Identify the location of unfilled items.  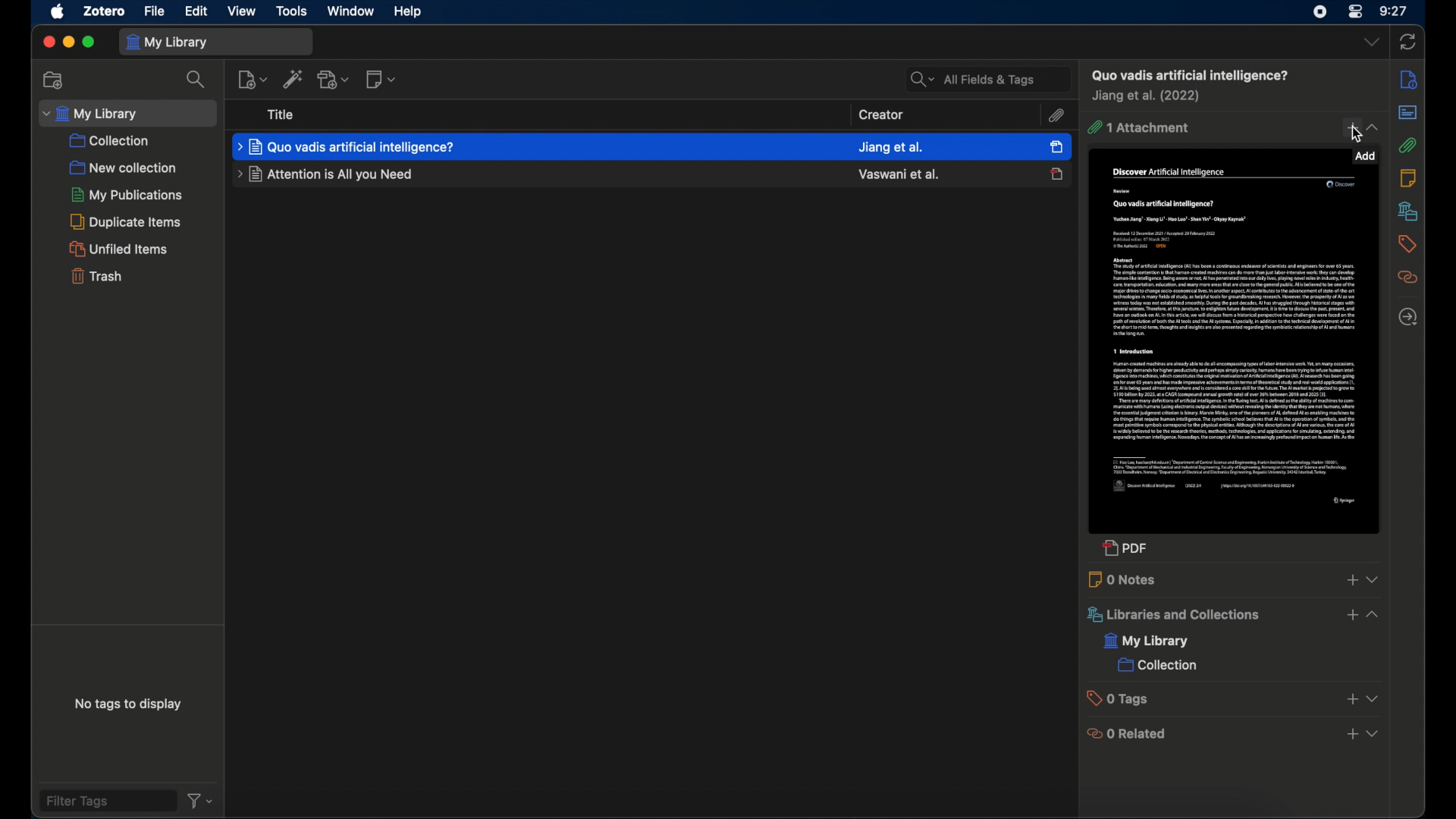
(121, 249).